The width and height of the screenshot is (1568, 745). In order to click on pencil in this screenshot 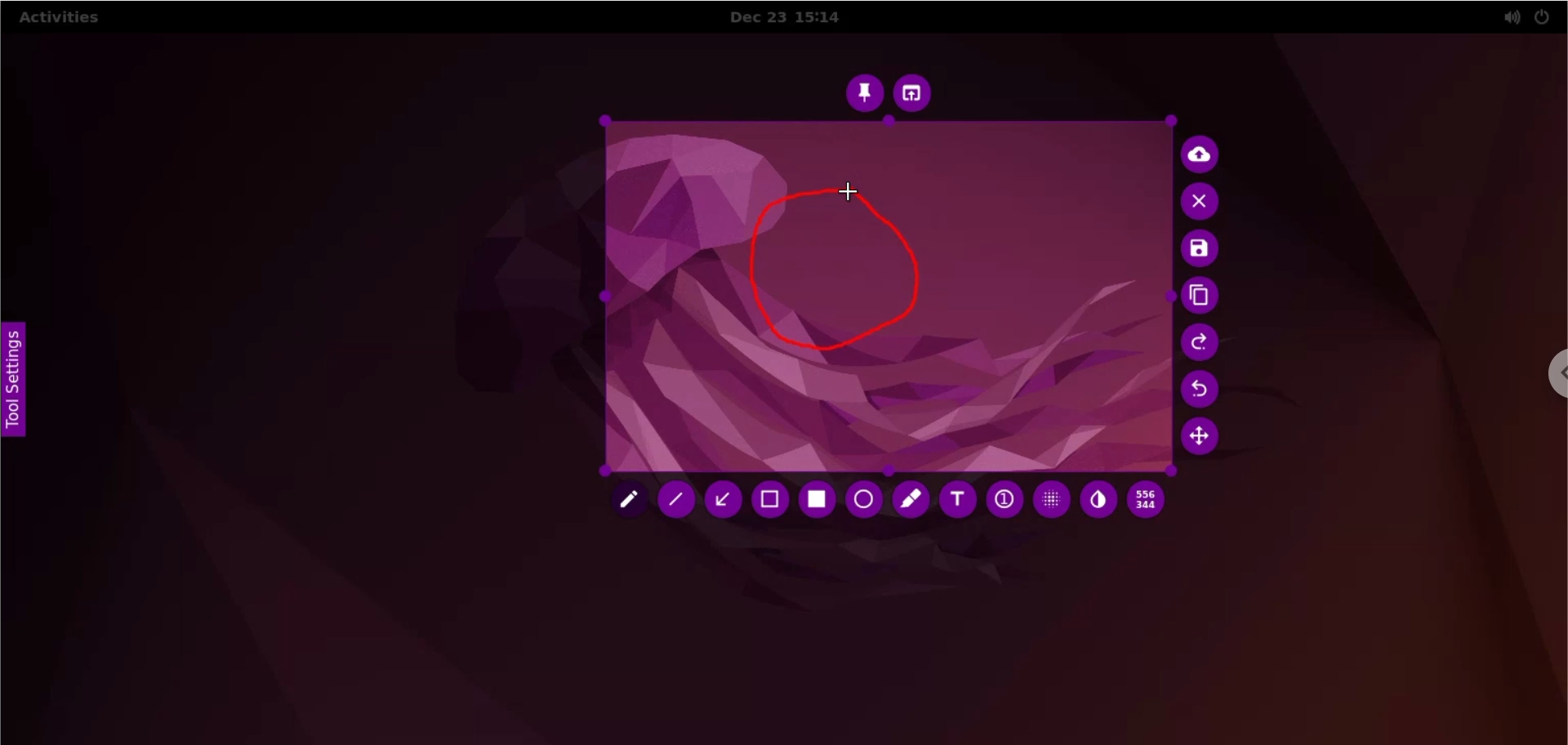, I will do `click(626, 500)`.